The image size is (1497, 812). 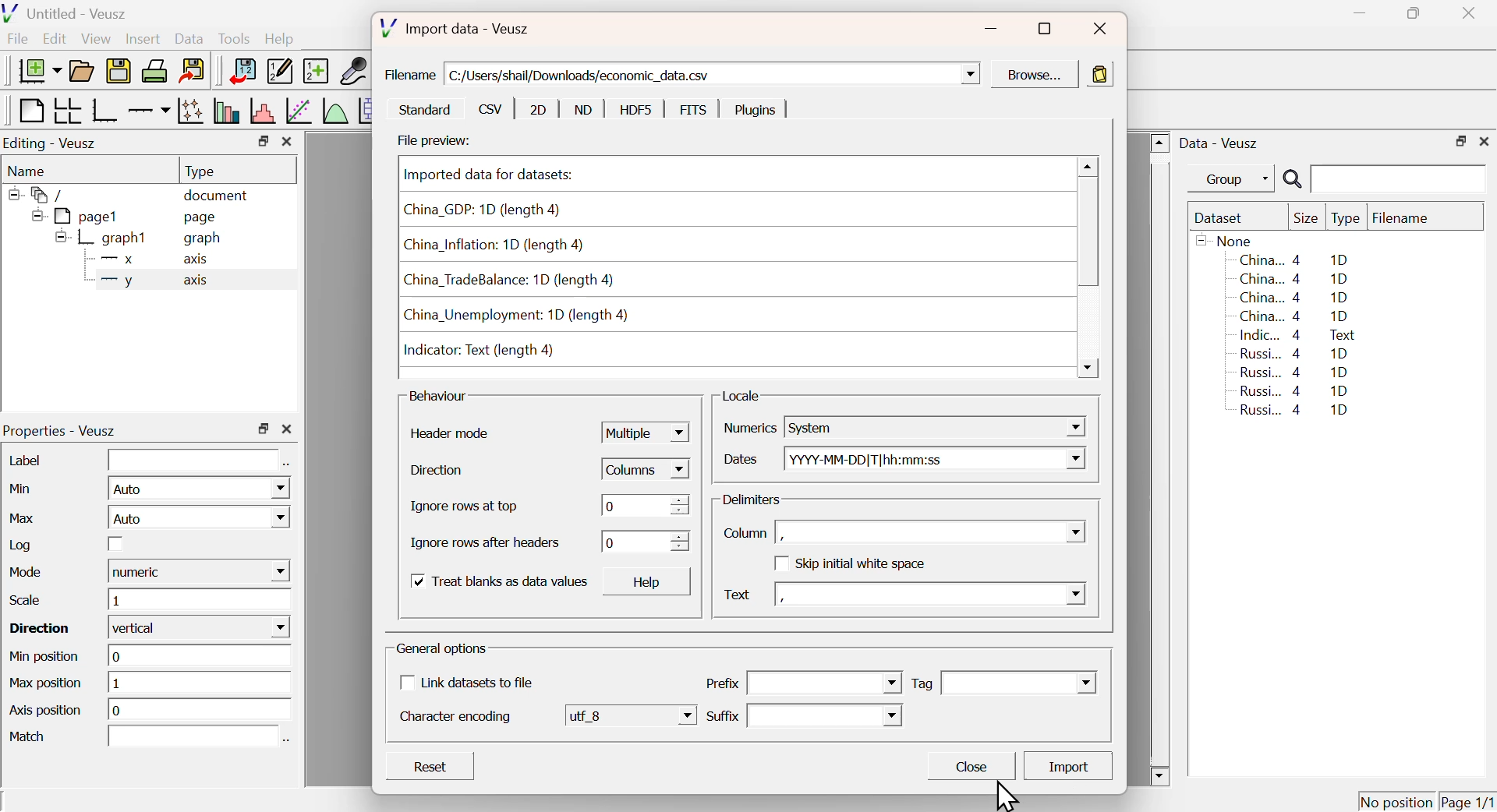 I want to click on vertical , so click(x=202, y=628).